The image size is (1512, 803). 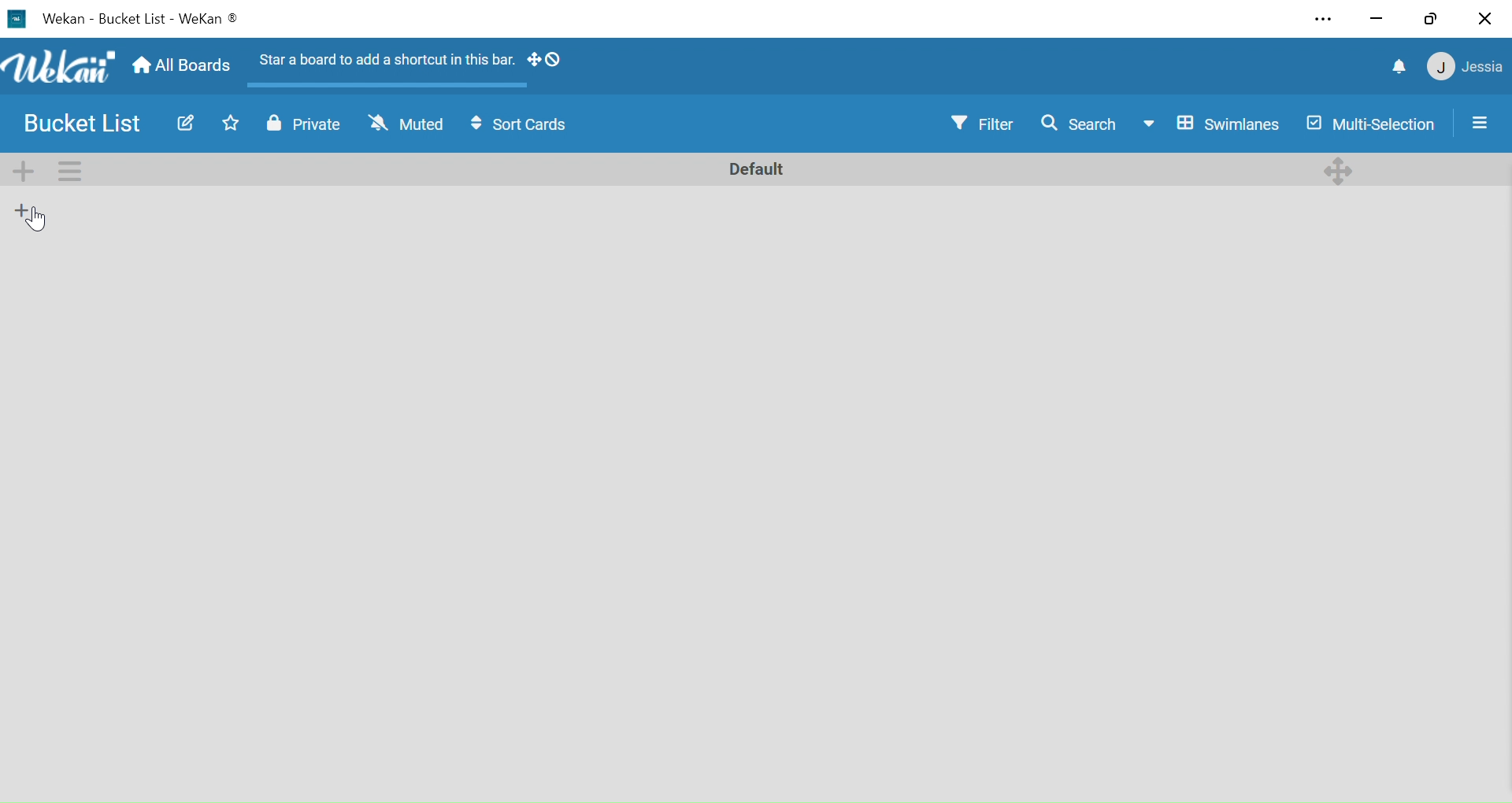 I want to click on Username, so click(x=1484, y=68).